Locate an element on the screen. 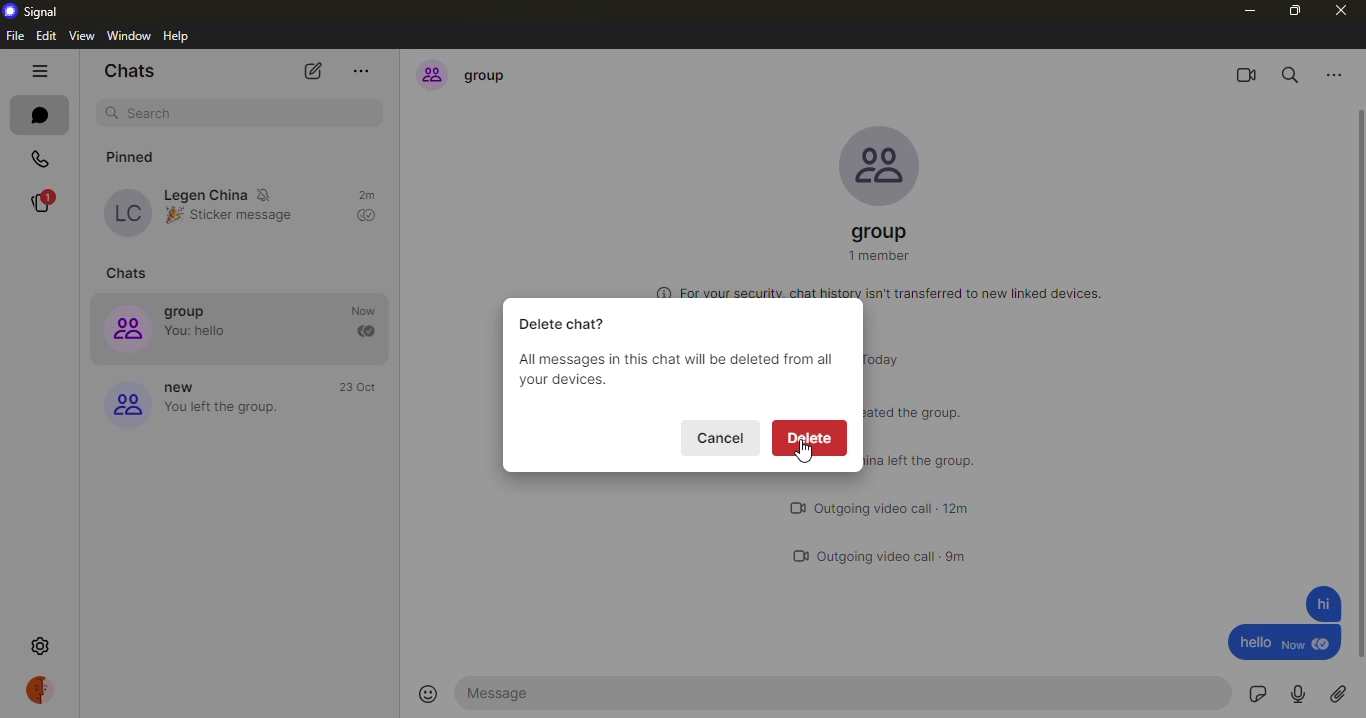 The height and width of the screenshot is (718, 1366). hide tabs is located at coordinates (37, 69).